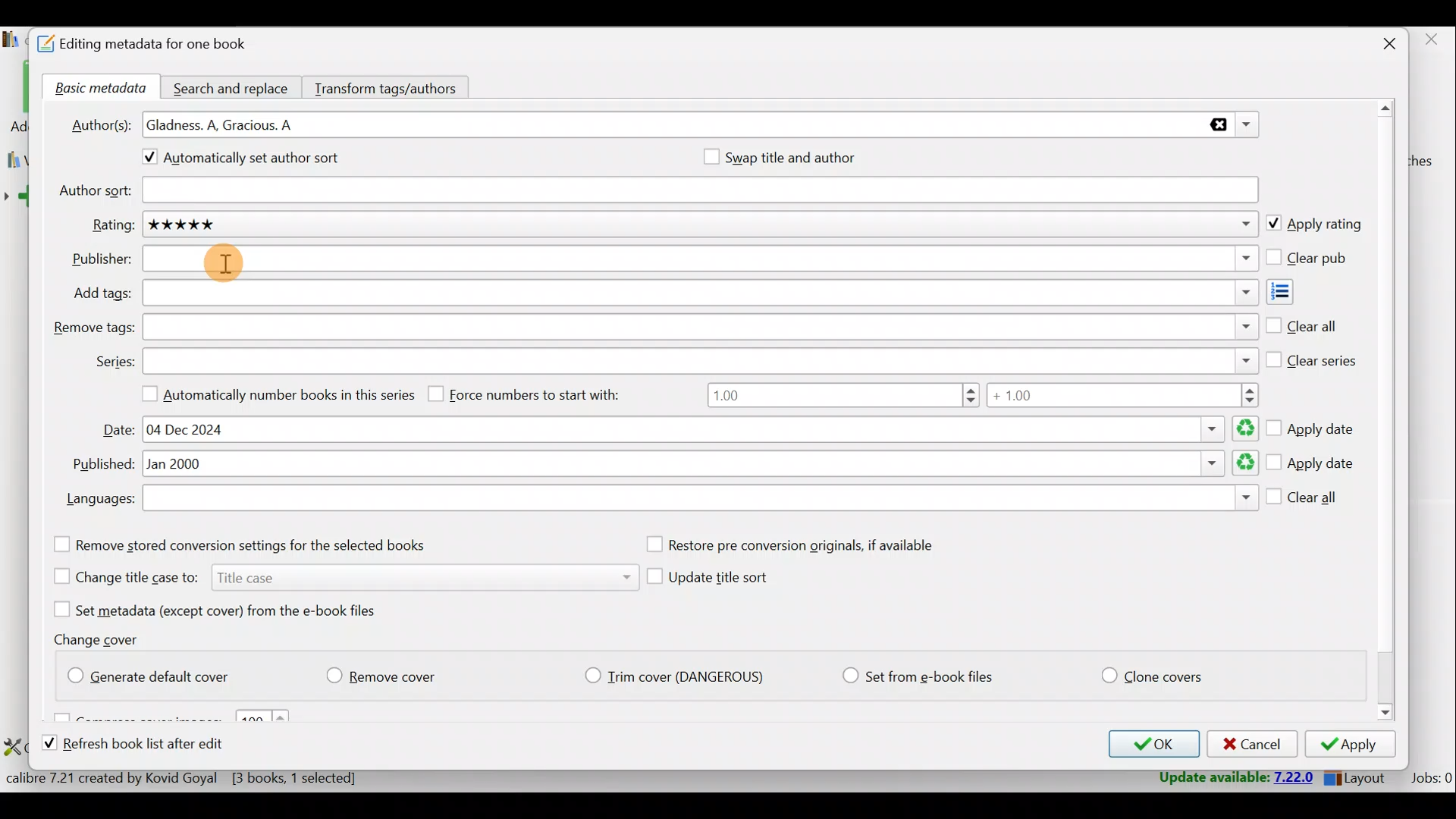 The height and width of the screenshot is (819, 1456). I want to click on Change title case to, so click(339, 576).